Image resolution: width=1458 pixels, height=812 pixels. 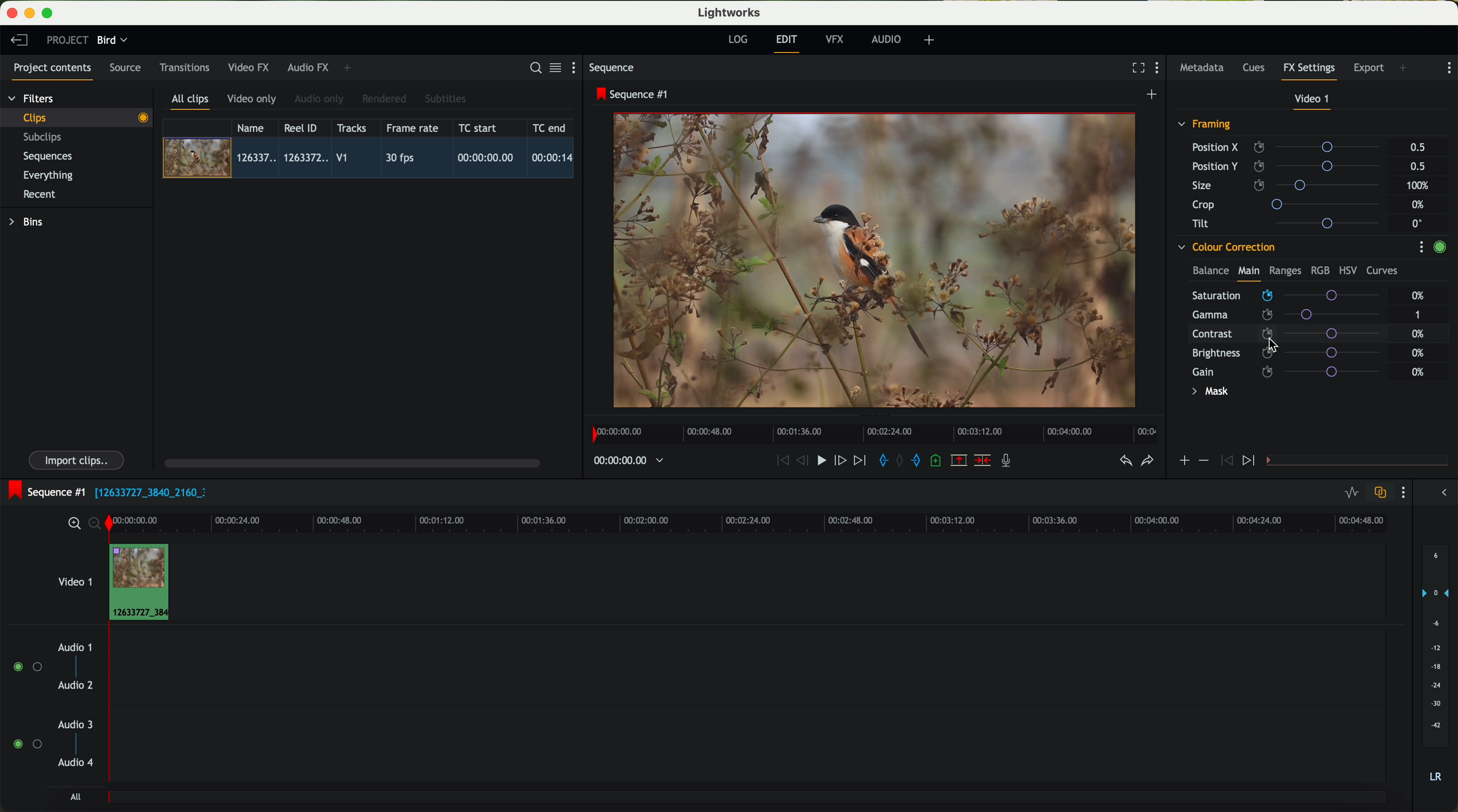 I want to click on all clips, so click(x=191, y=102).